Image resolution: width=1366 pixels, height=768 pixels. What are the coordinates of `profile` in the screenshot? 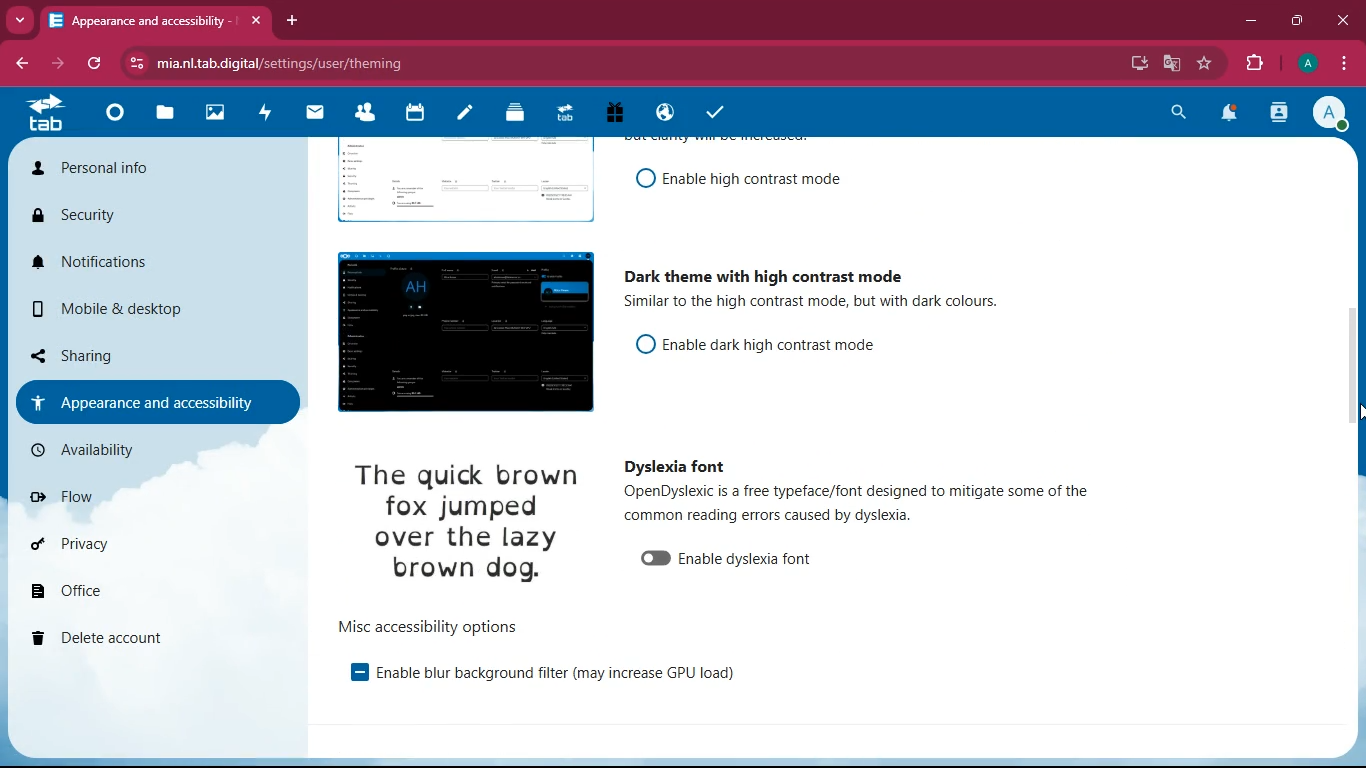 It's located at (1305, 65).